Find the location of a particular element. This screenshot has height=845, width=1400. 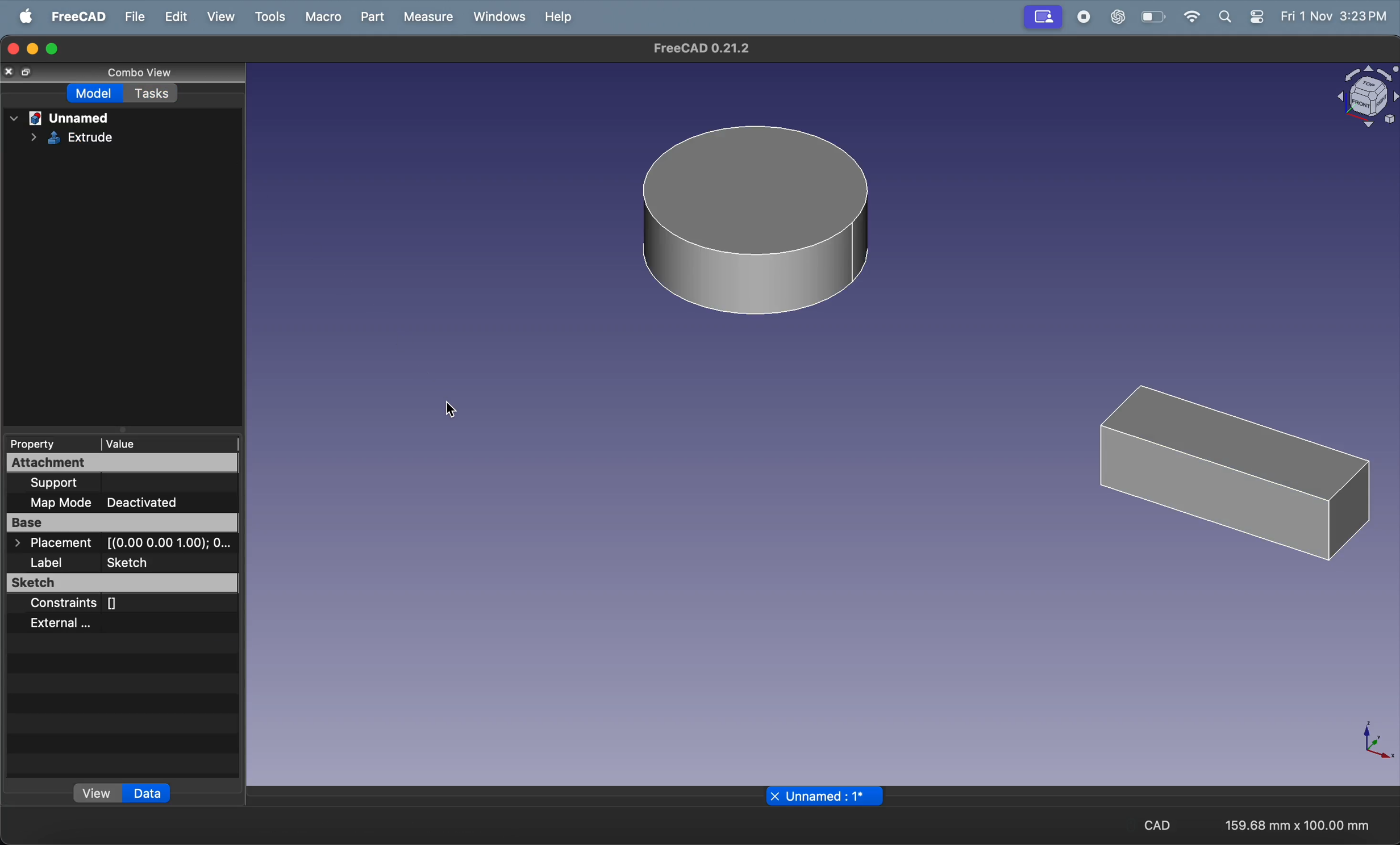

3D rectangle is located at coordinates (1231, 468).